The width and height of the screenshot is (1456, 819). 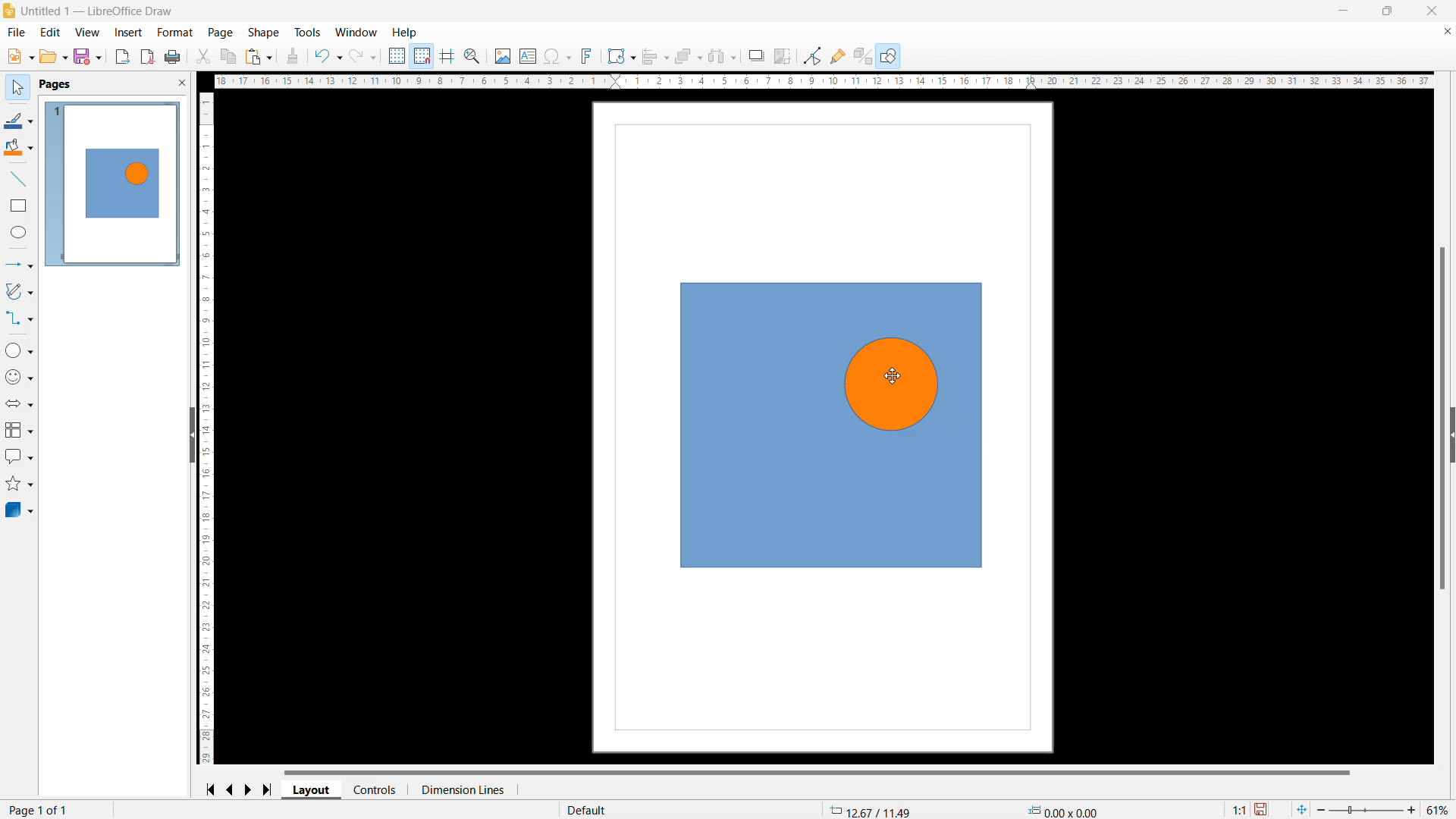 I want to click on export, so click(x=123, y=57).